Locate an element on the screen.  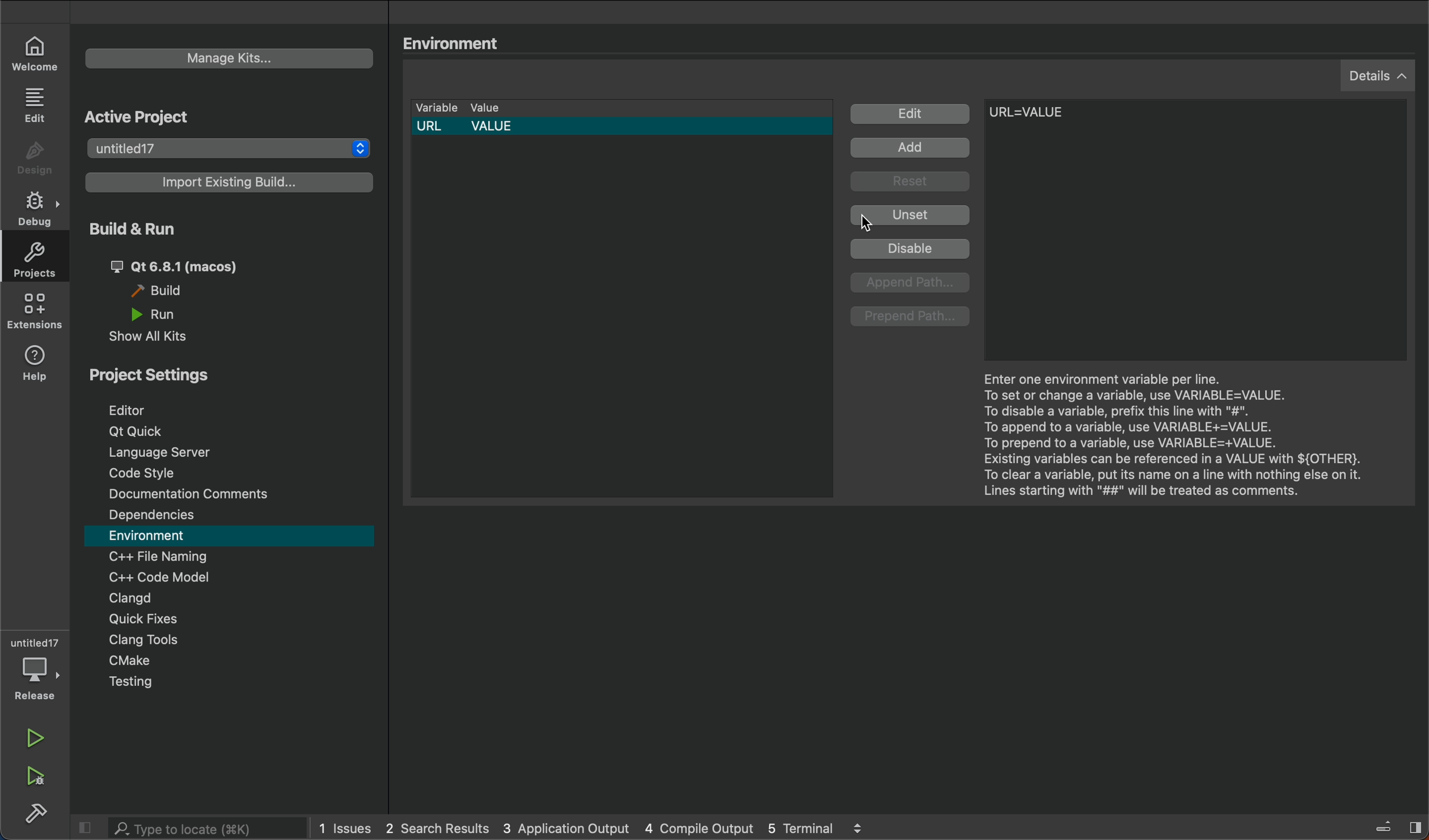
quick fixes is located at coordinates (141, 619).